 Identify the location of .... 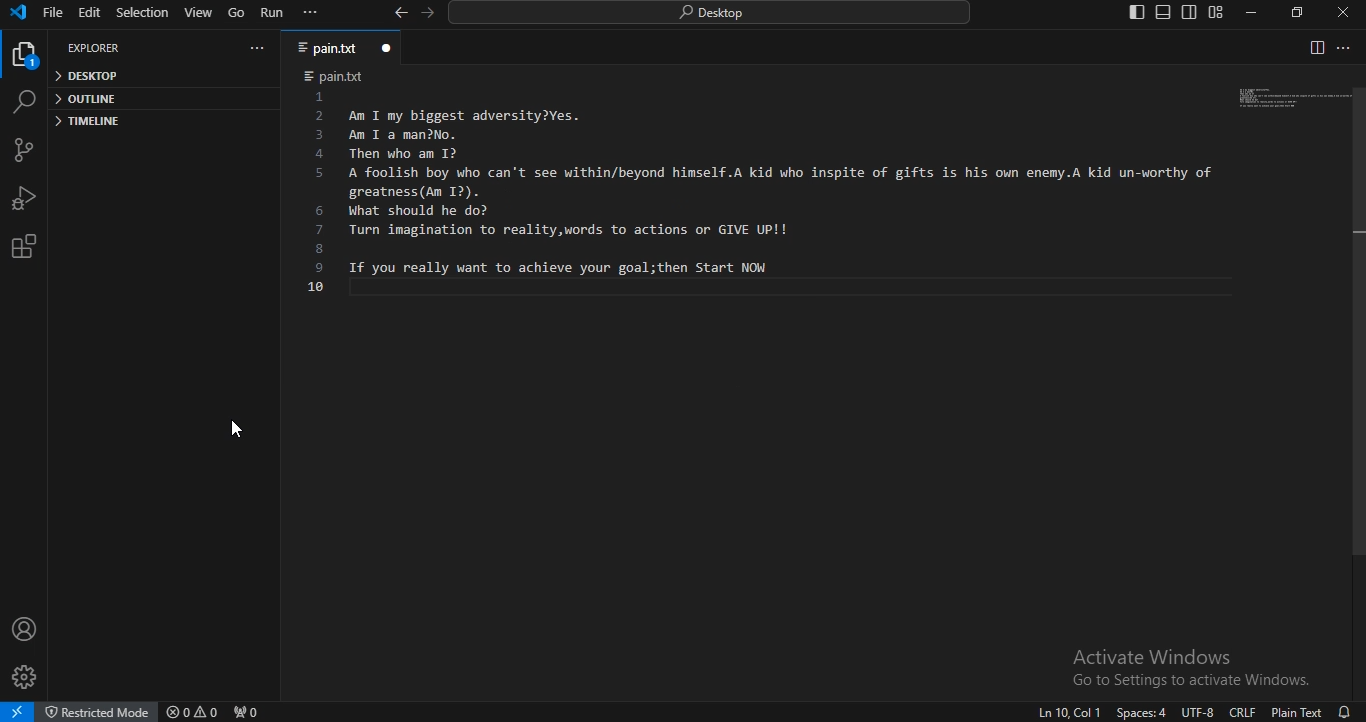
(259, 48).